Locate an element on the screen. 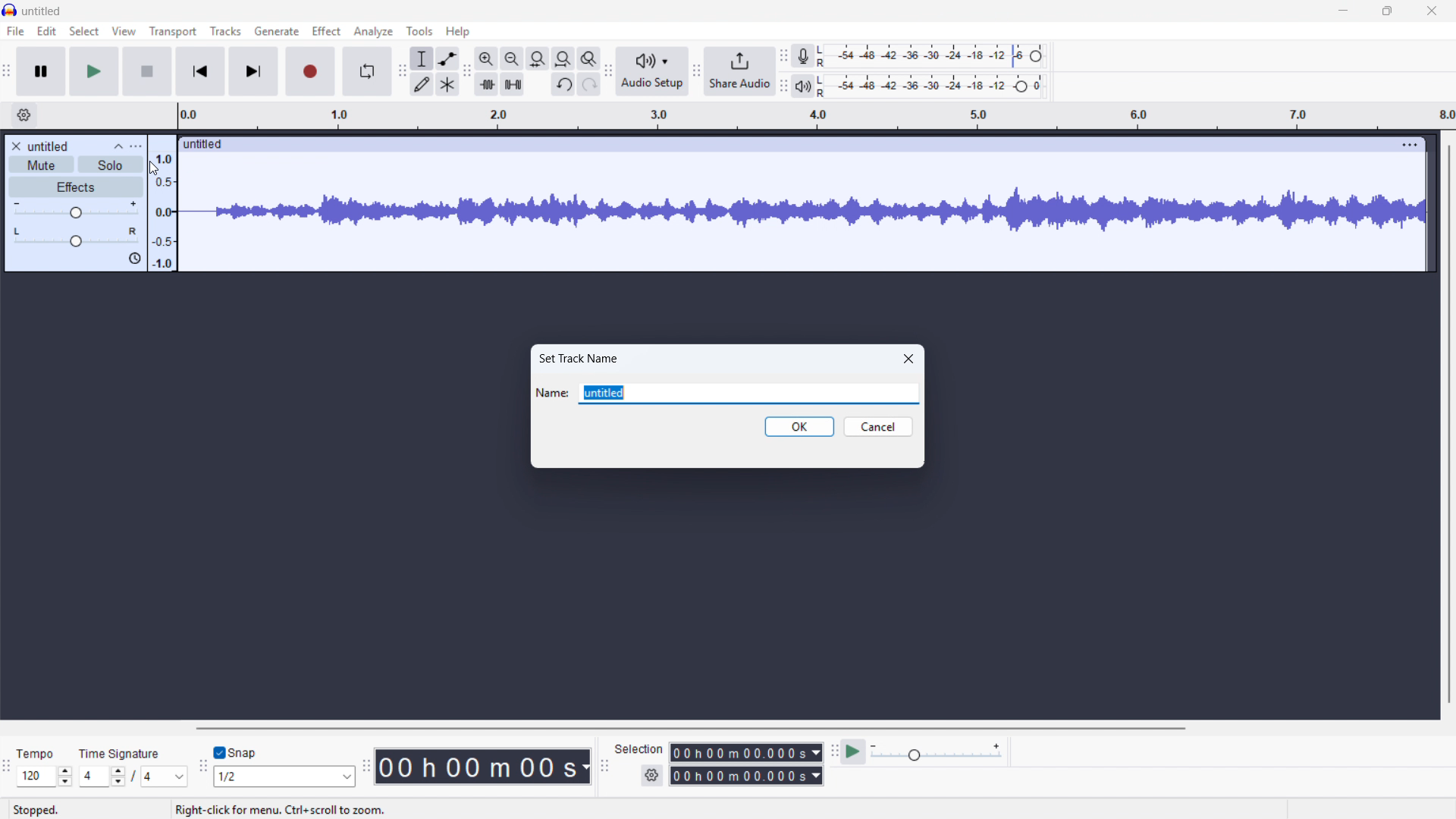  Playback metre toolbar  is located at coordinates (784, 87).